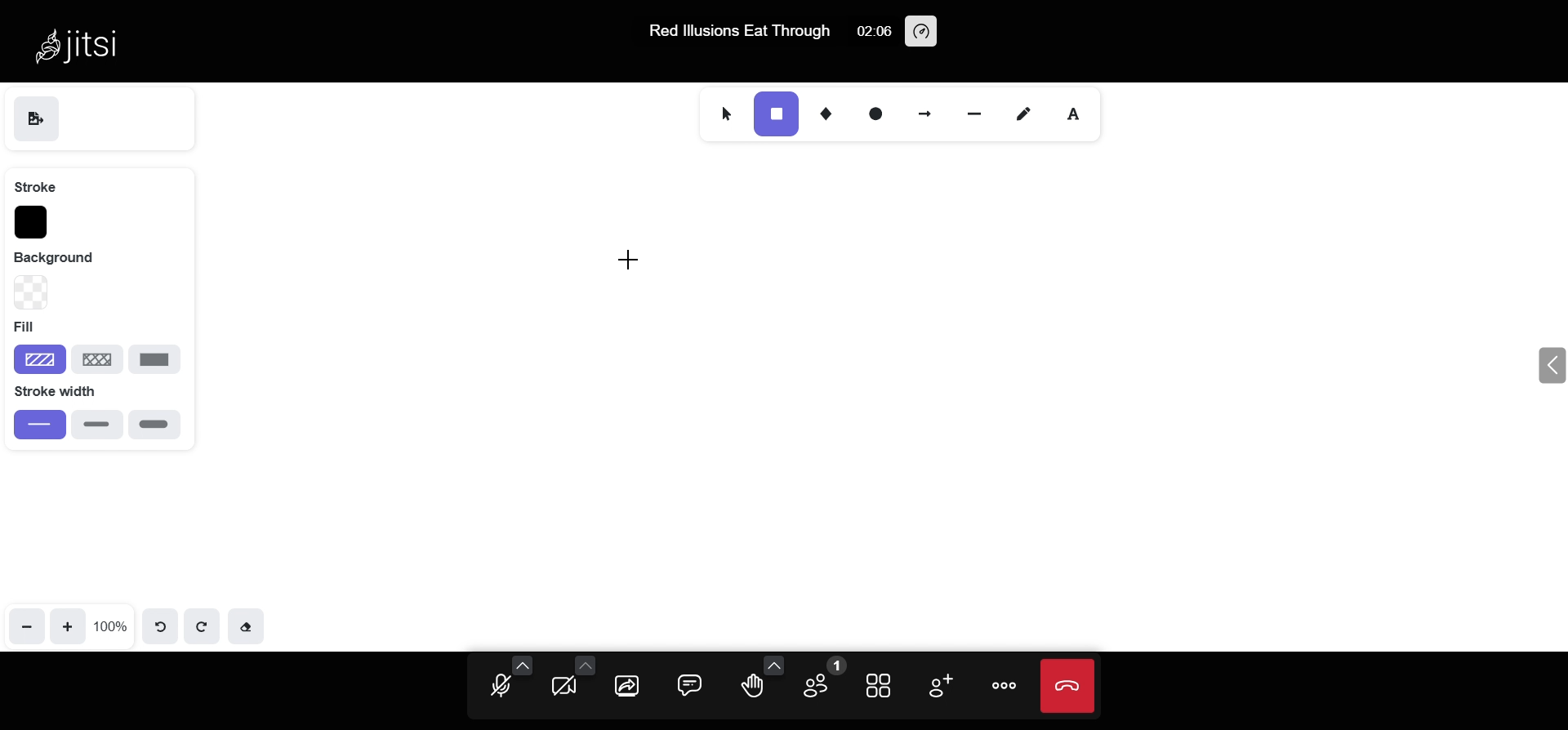  What do you see at coordinates (35, 185) in the screenshot?
I see `stroke` at bounding box center [35, 185].